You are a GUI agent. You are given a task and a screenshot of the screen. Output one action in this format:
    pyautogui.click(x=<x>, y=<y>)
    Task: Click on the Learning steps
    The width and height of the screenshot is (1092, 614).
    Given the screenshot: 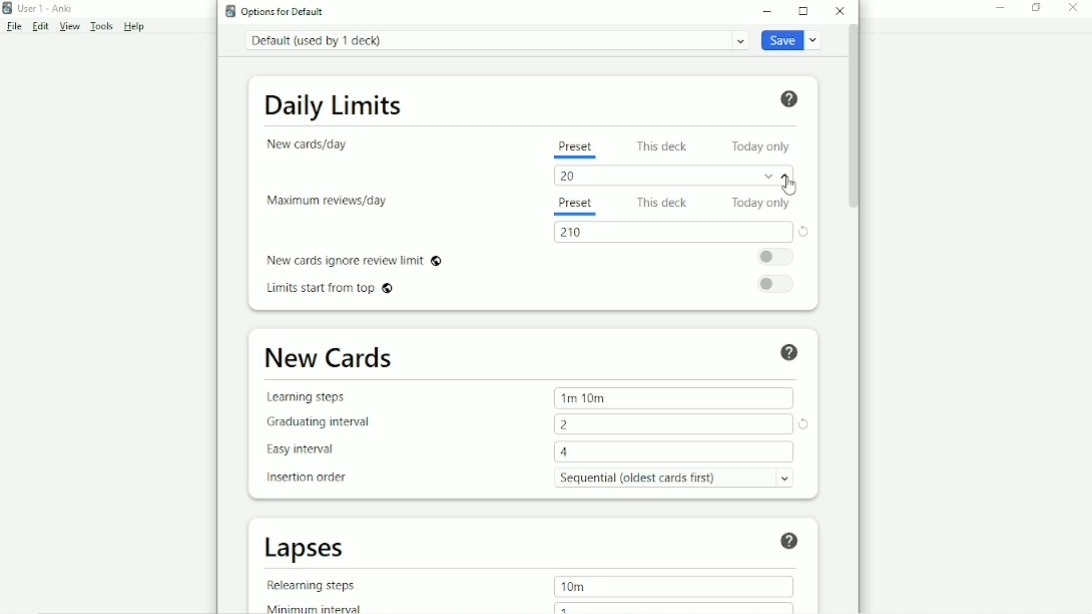 What is the action you would take?
    pyautogui.click(x=310, y=399)
    